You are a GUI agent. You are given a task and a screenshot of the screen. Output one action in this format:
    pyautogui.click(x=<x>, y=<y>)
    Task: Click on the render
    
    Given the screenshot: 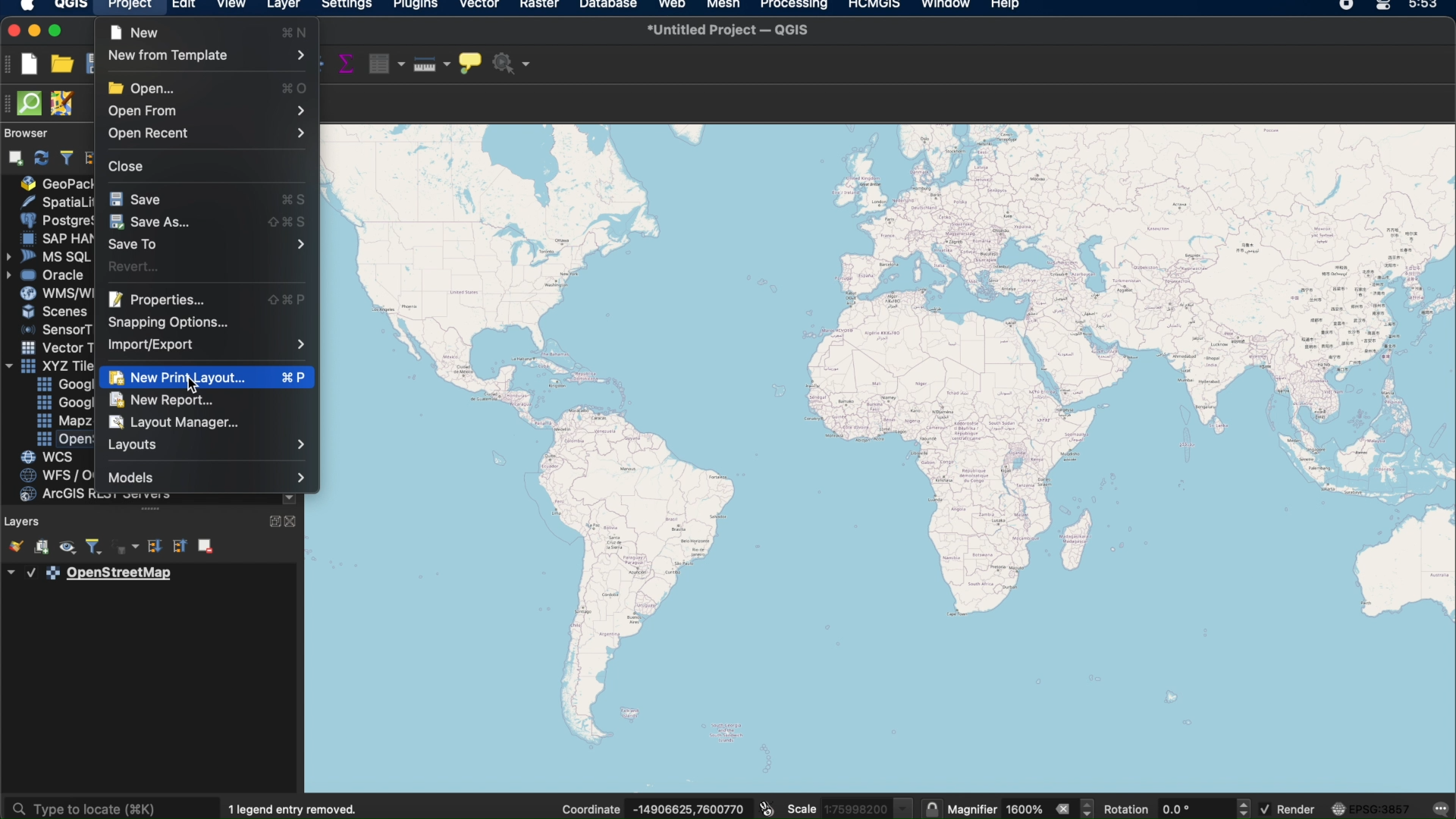 What is the action you would take?
    pyautogui.click(x=1289, y=809)
    